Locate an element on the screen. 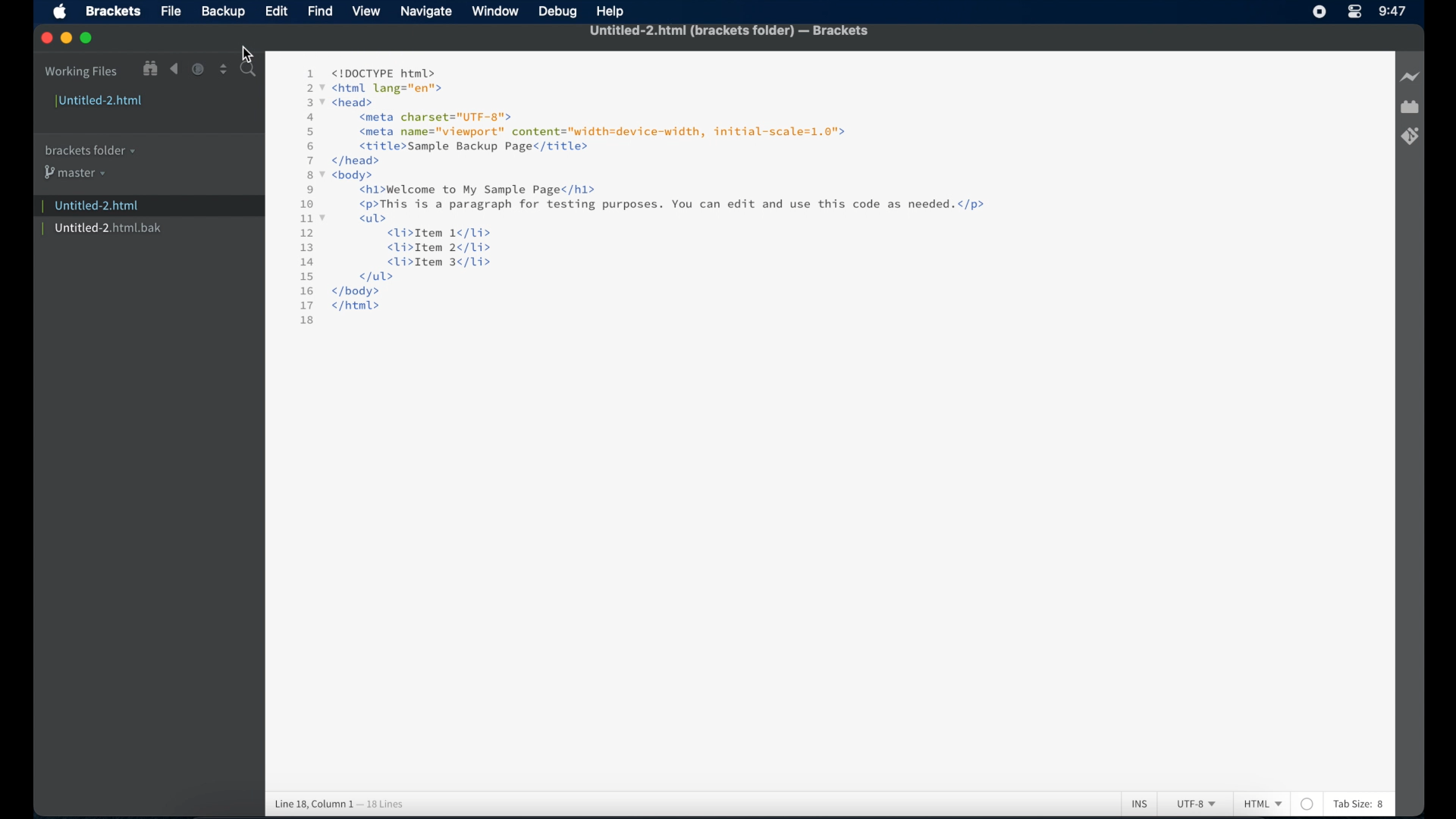 Image resolution: width=1456 pixels, height=819 pixels. live preview is located at coordinates (1410, 77).